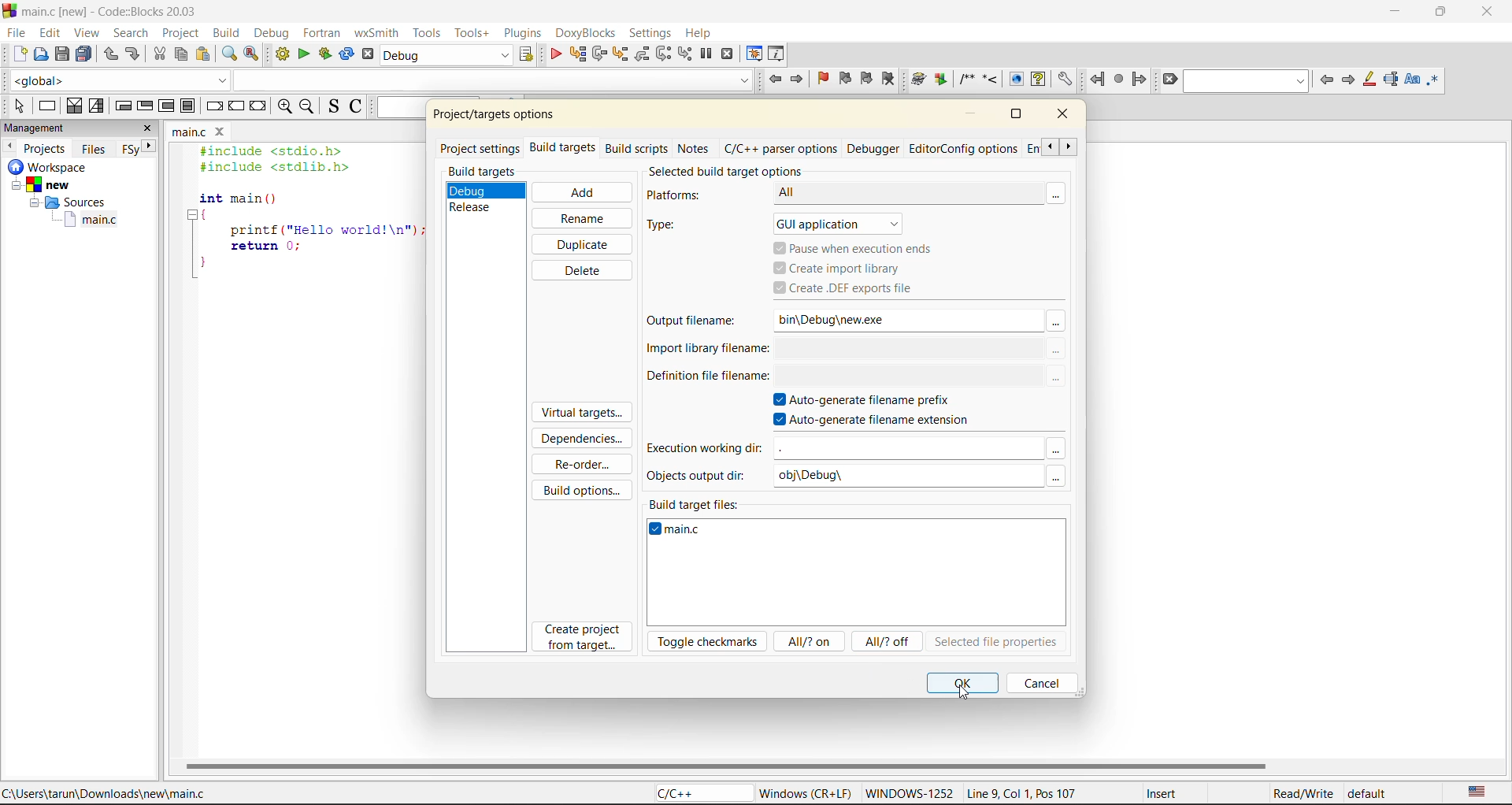 Image resolution: width=1512 pixels, height=805 pixels. I want to click on rebuild, so click(348, 54).